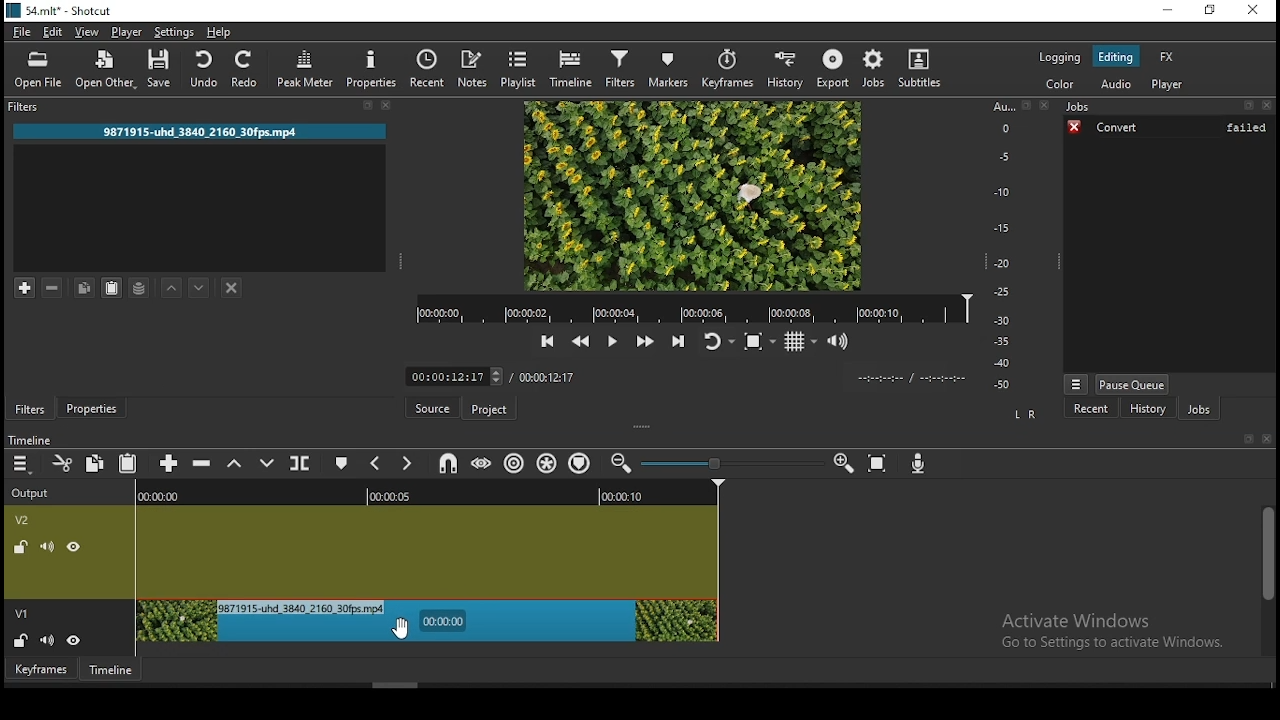 The image size is (1280, 720). Describe the element at coordinates (1267, 437) in the screenshot. I see `close` at that location.